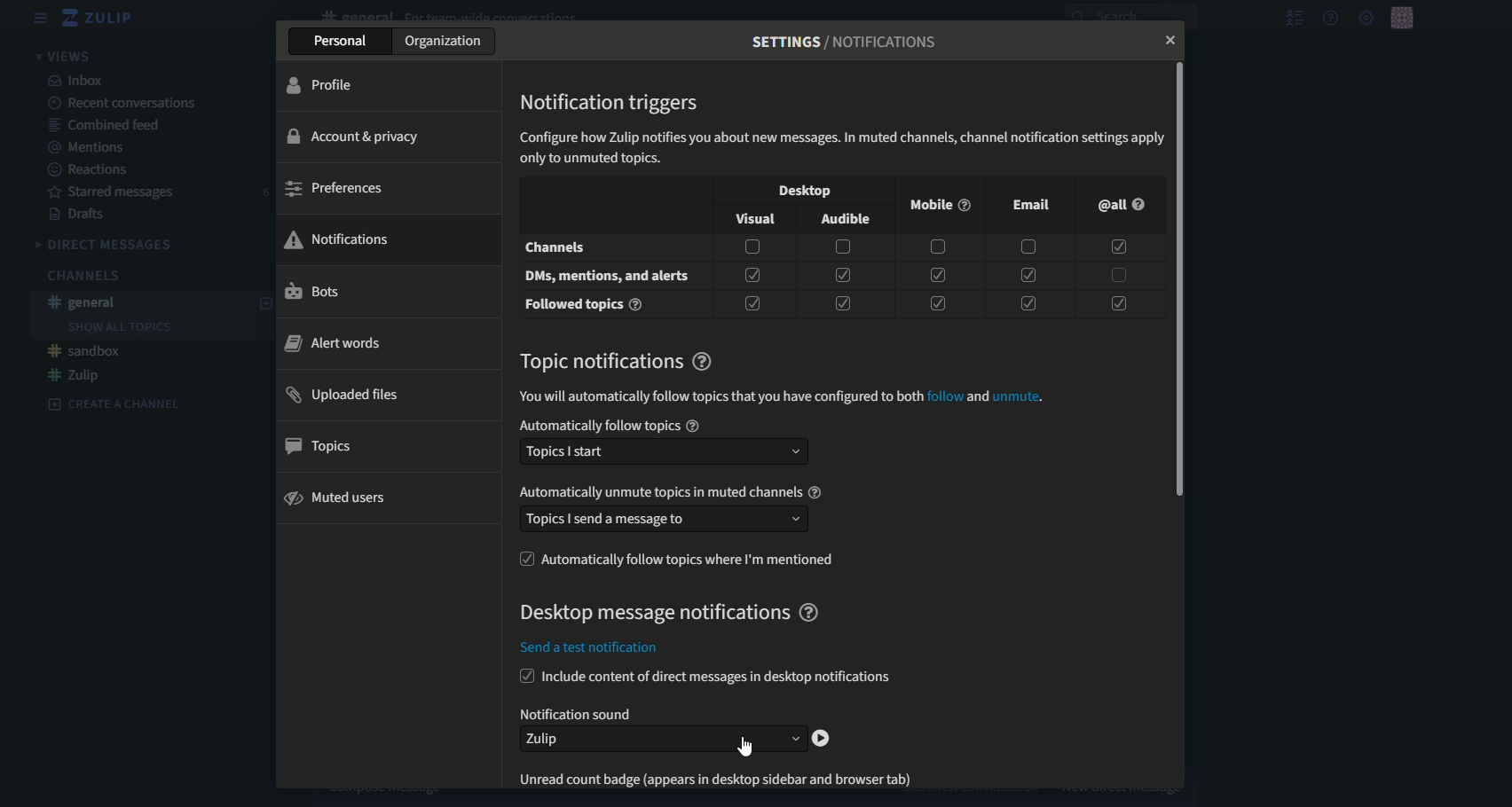 The height and width of the screenshot is (807, 1512). Describe the element at coordinates (313, 293) in the screenshot. I see `bots` at that location.